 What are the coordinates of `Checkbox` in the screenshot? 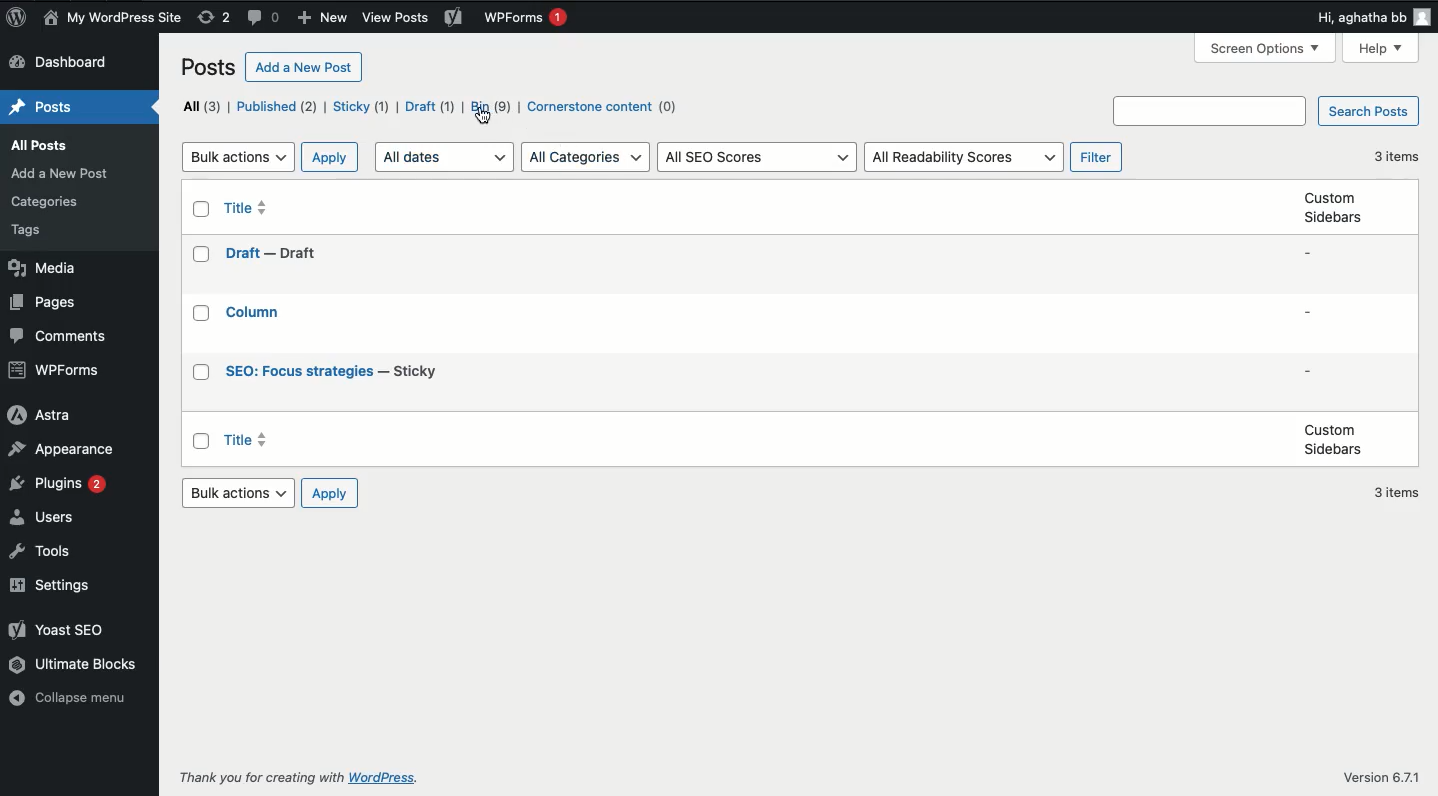 It's located at (203, 442).